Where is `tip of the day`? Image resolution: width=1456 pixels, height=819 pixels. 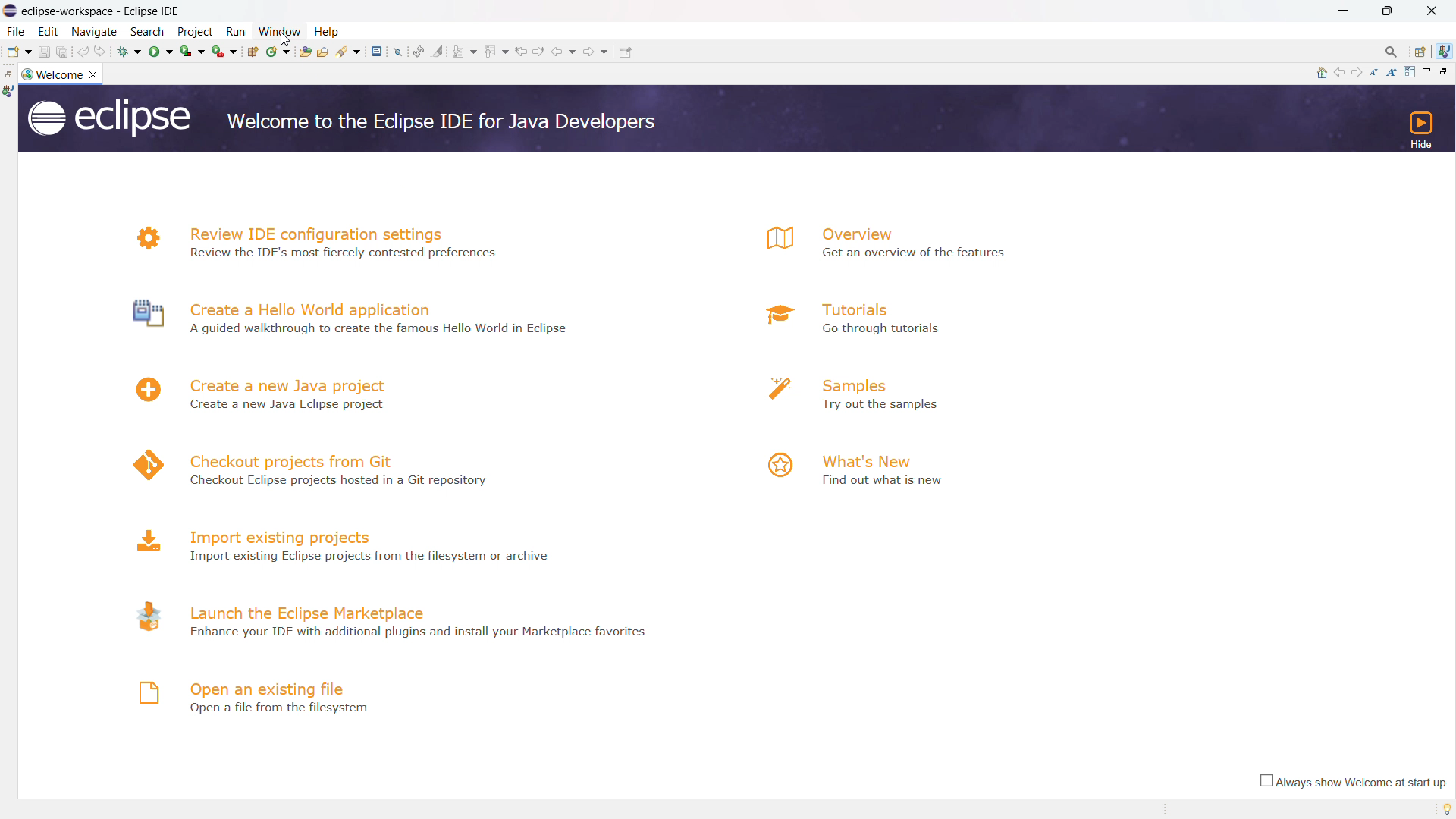 tip of the day is located at coordinates (1442, 808).